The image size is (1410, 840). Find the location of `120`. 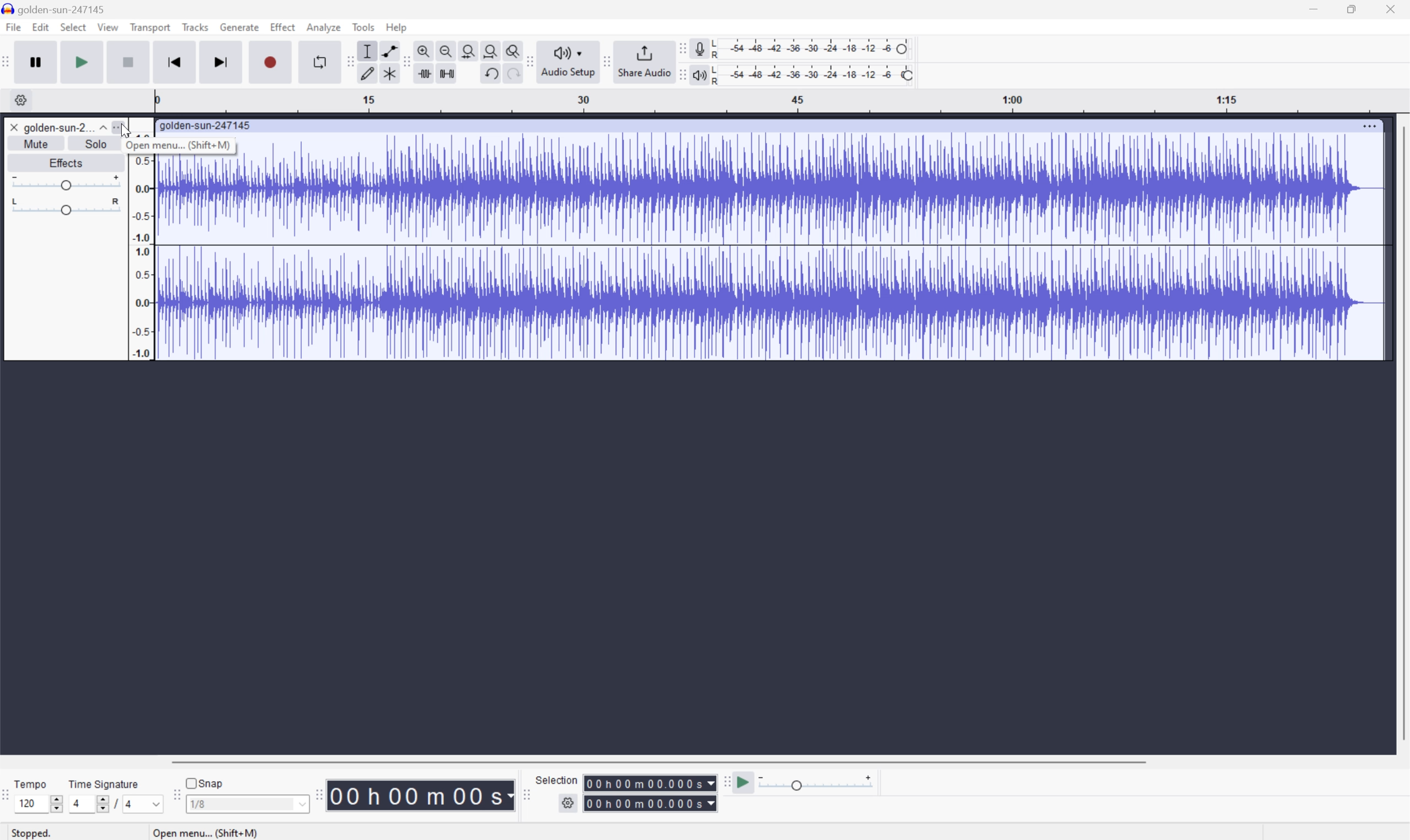

120 is located at coordinates (30, 805).